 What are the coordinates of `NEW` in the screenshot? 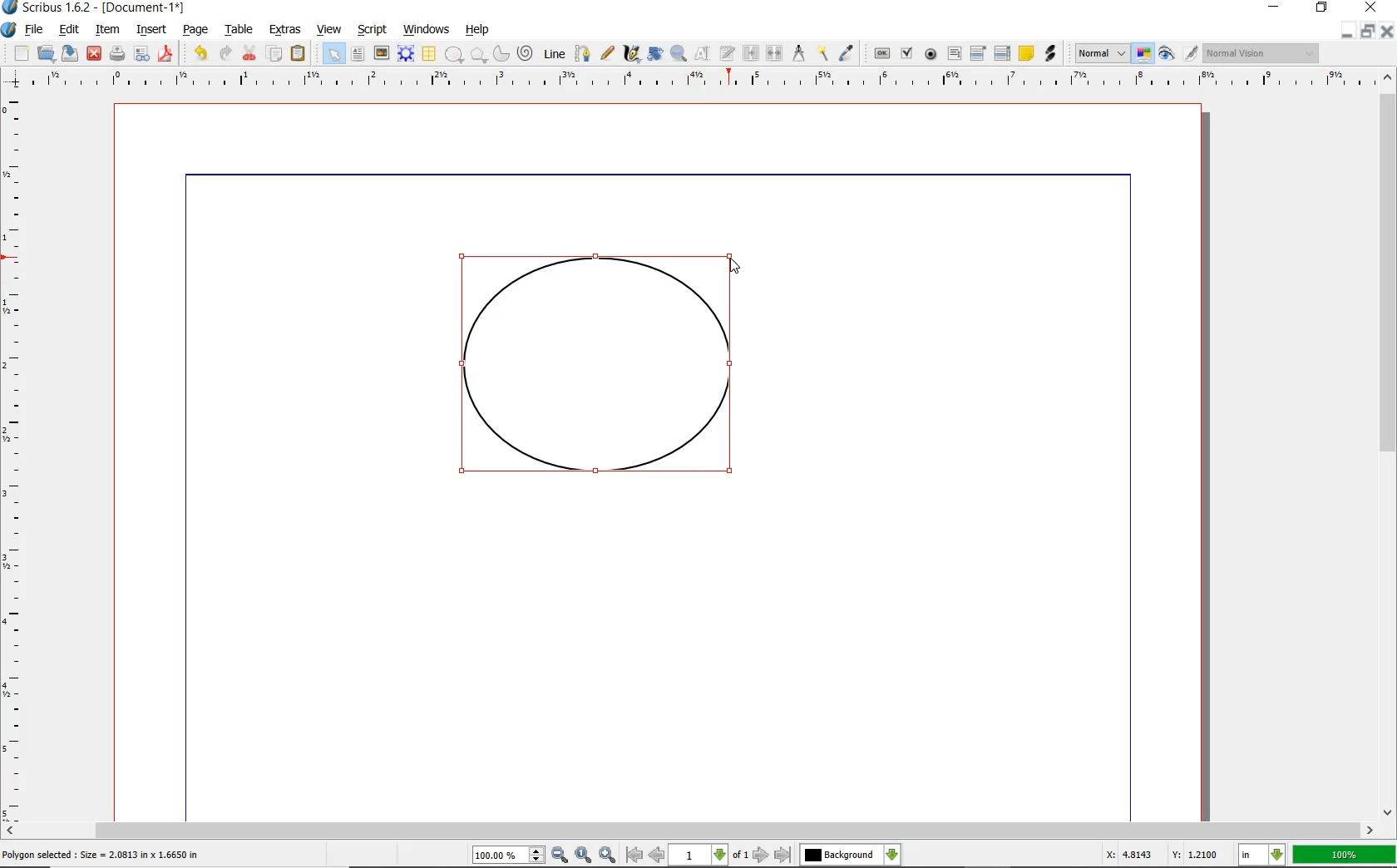 It's located at (21, 53).